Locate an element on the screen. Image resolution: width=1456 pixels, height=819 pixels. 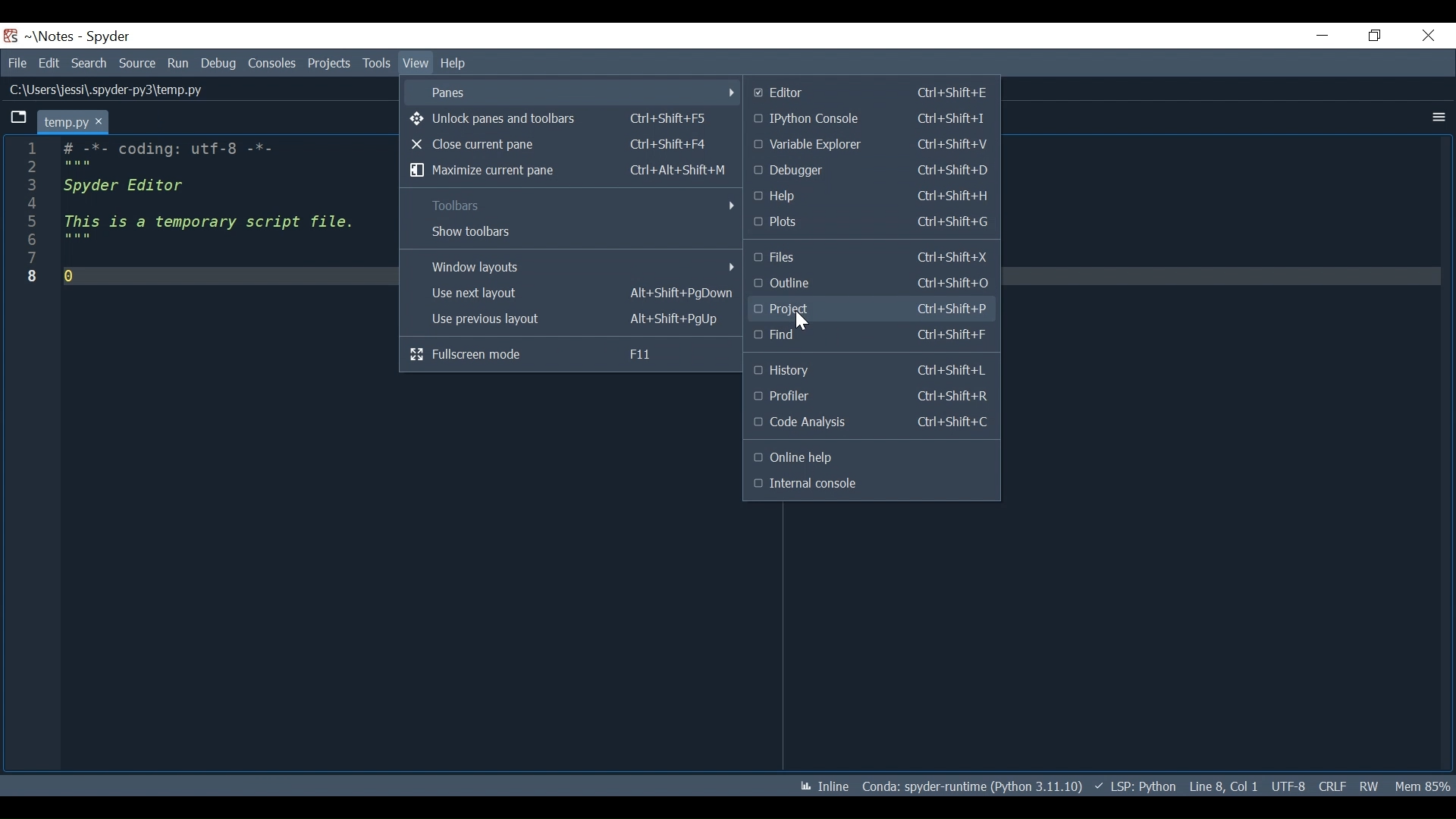
History is located at coordinates (871, 371).